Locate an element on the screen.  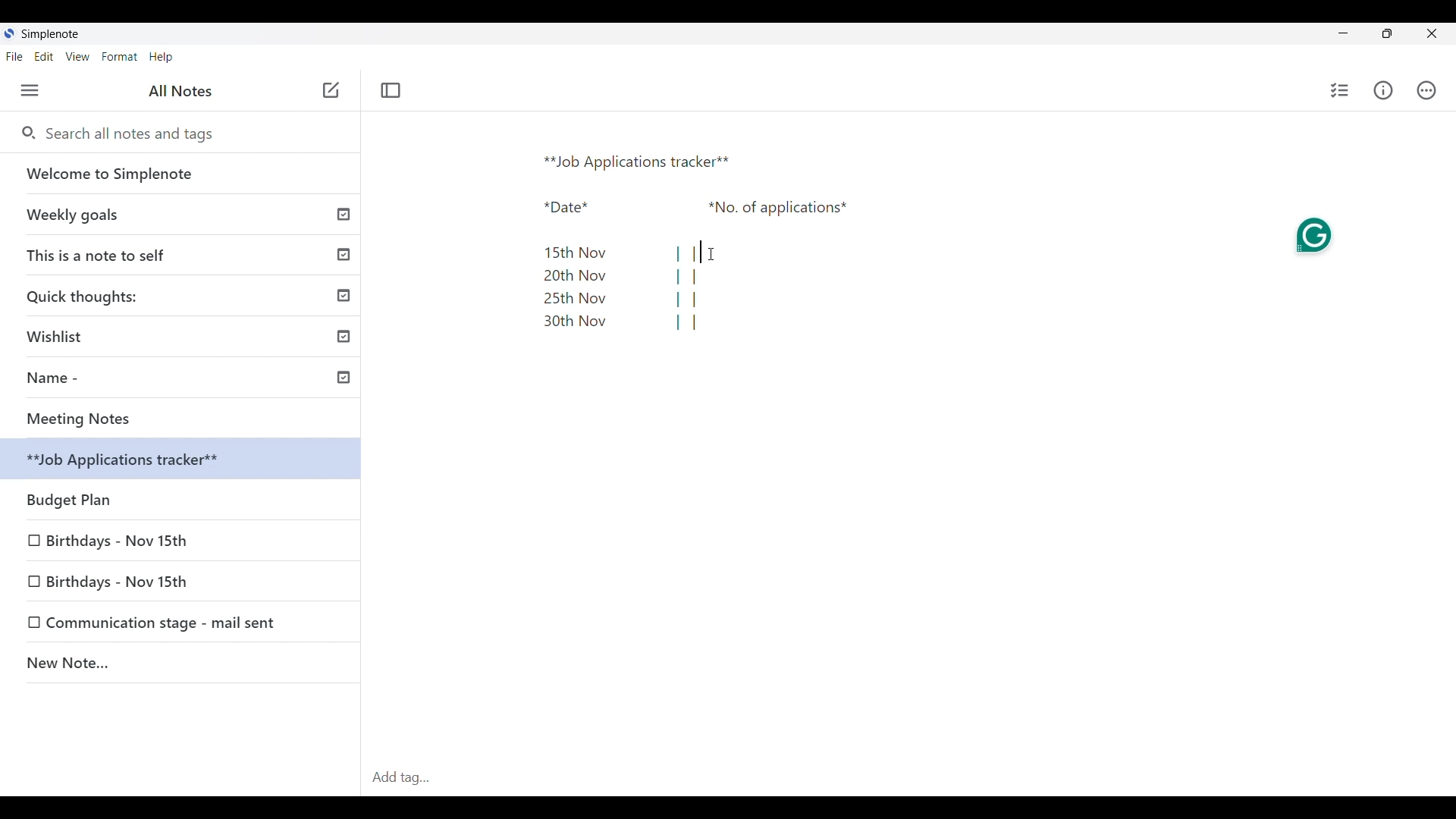
New Note.. is located at coordinates (181, 665).